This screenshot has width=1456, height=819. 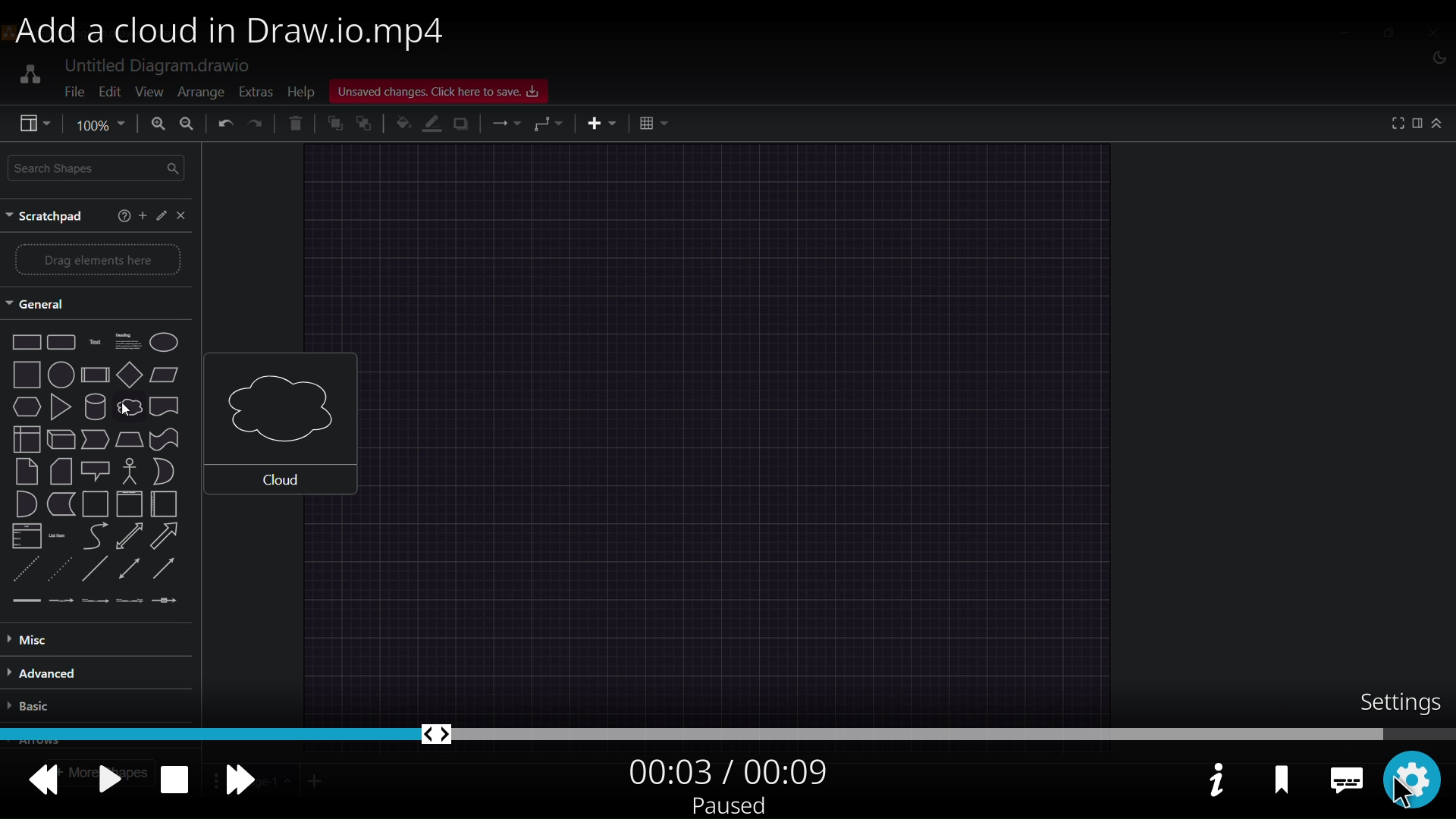 I want to click on bookmark, so click(x=1280, y=779).